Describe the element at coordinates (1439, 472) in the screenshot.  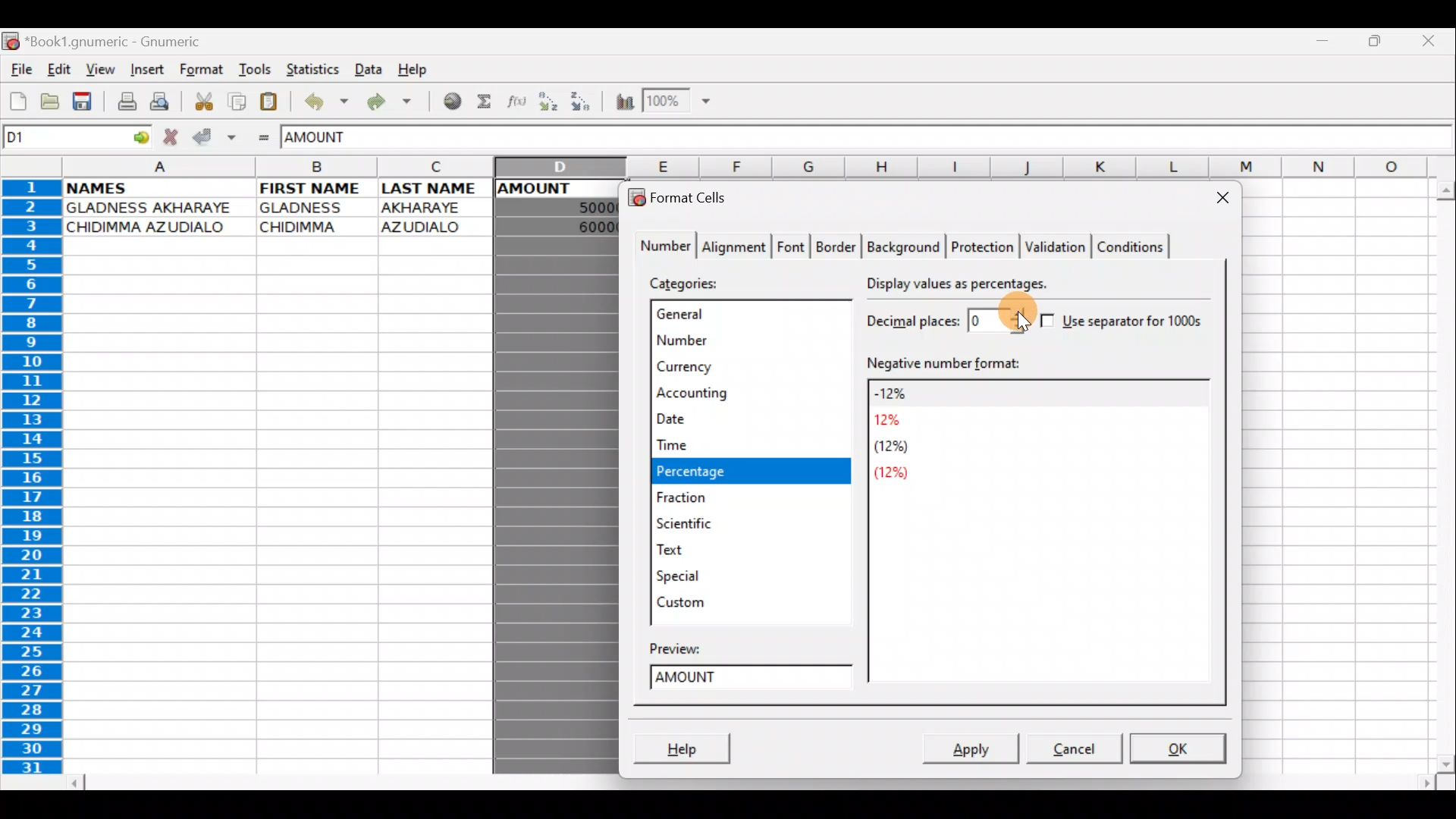
I see `Scroll bar` at that location.